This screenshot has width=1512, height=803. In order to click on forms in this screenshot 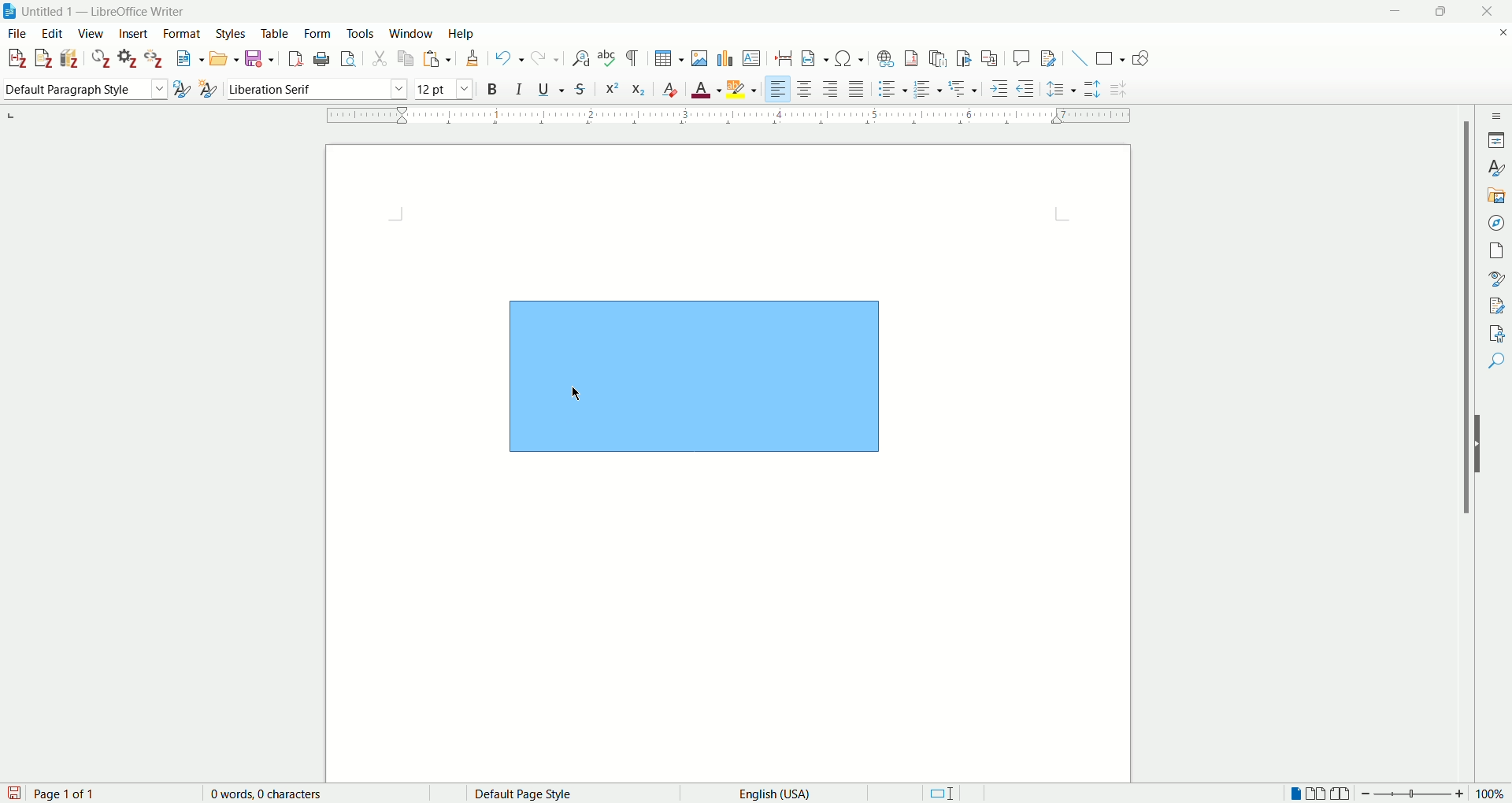, I will do `click(320, 32)`.